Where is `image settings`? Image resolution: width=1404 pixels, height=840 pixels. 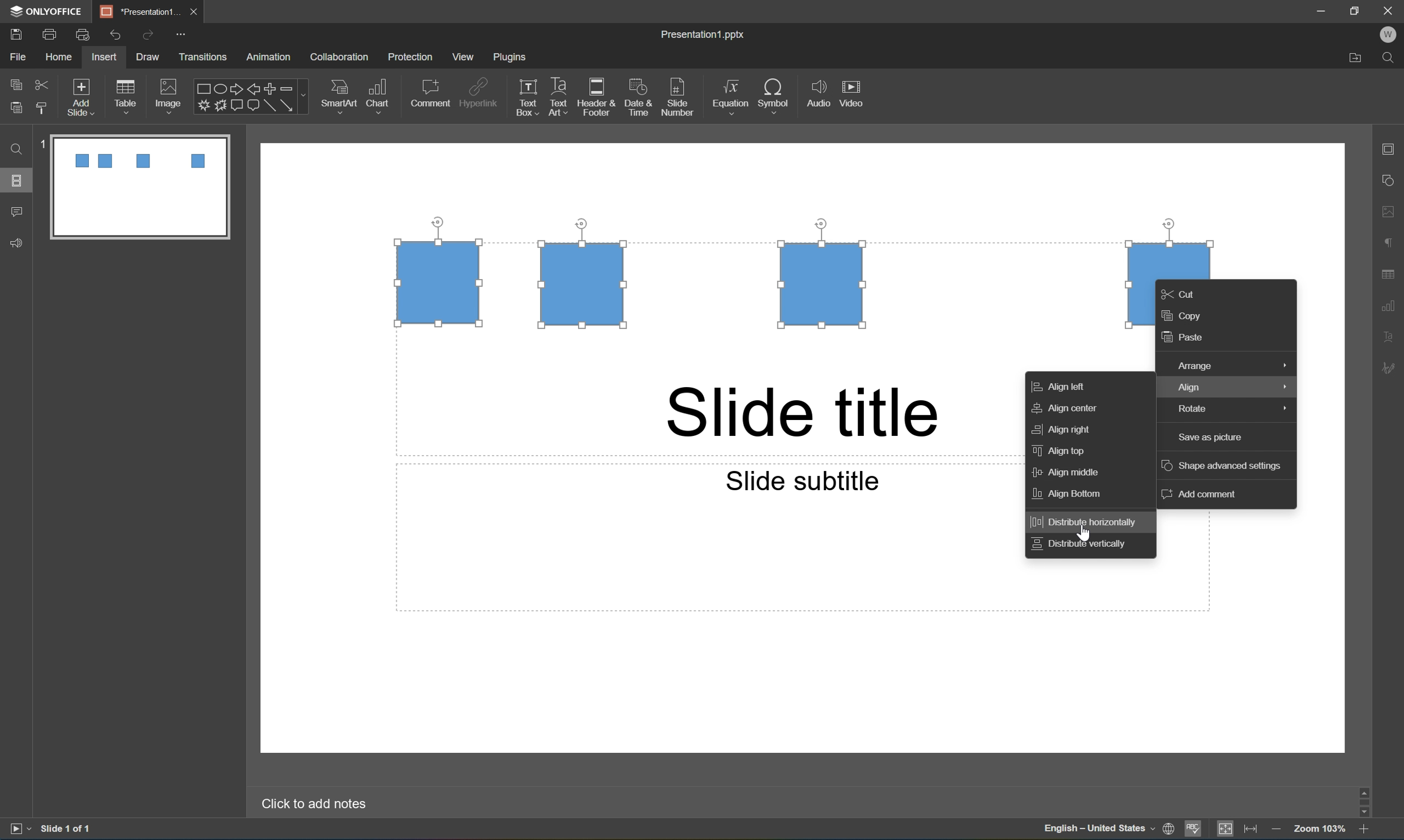
image settings is located at coordinates (1393, 213).